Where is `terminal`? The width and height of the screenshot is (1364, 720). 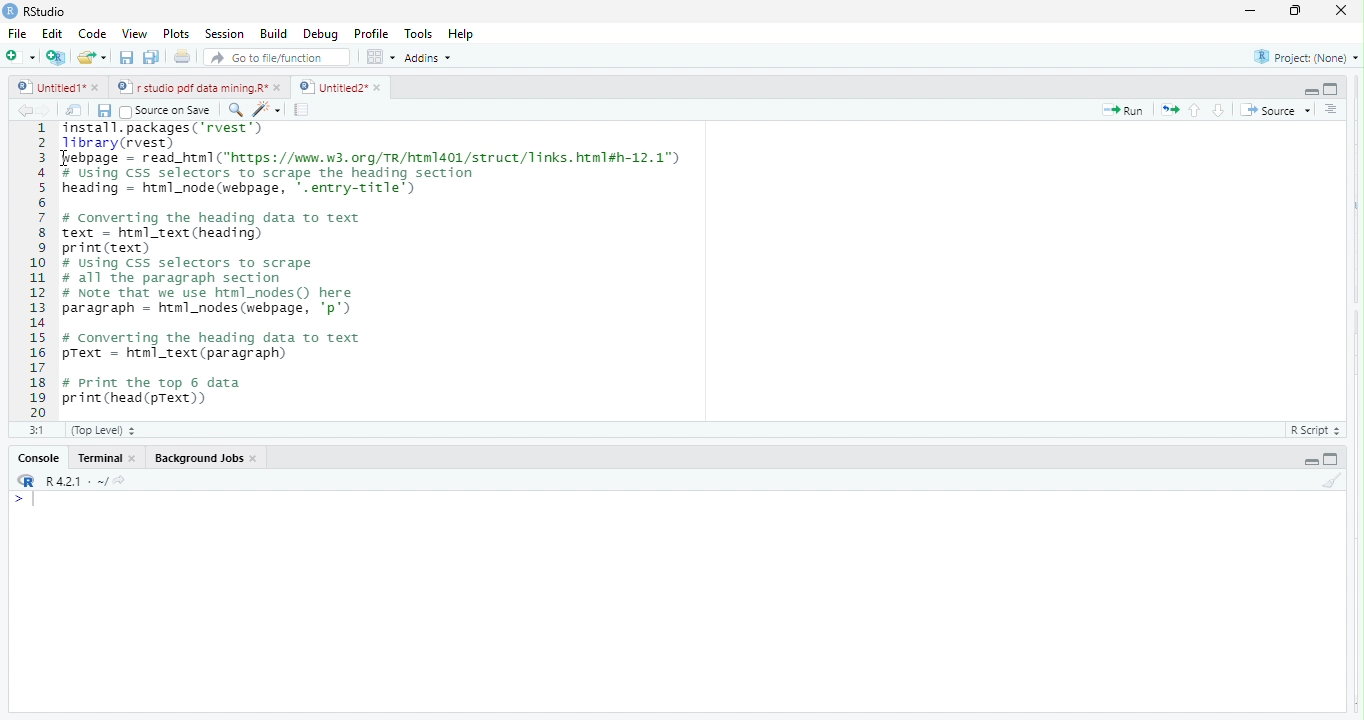
terminal is located at coordinates (102, 458).